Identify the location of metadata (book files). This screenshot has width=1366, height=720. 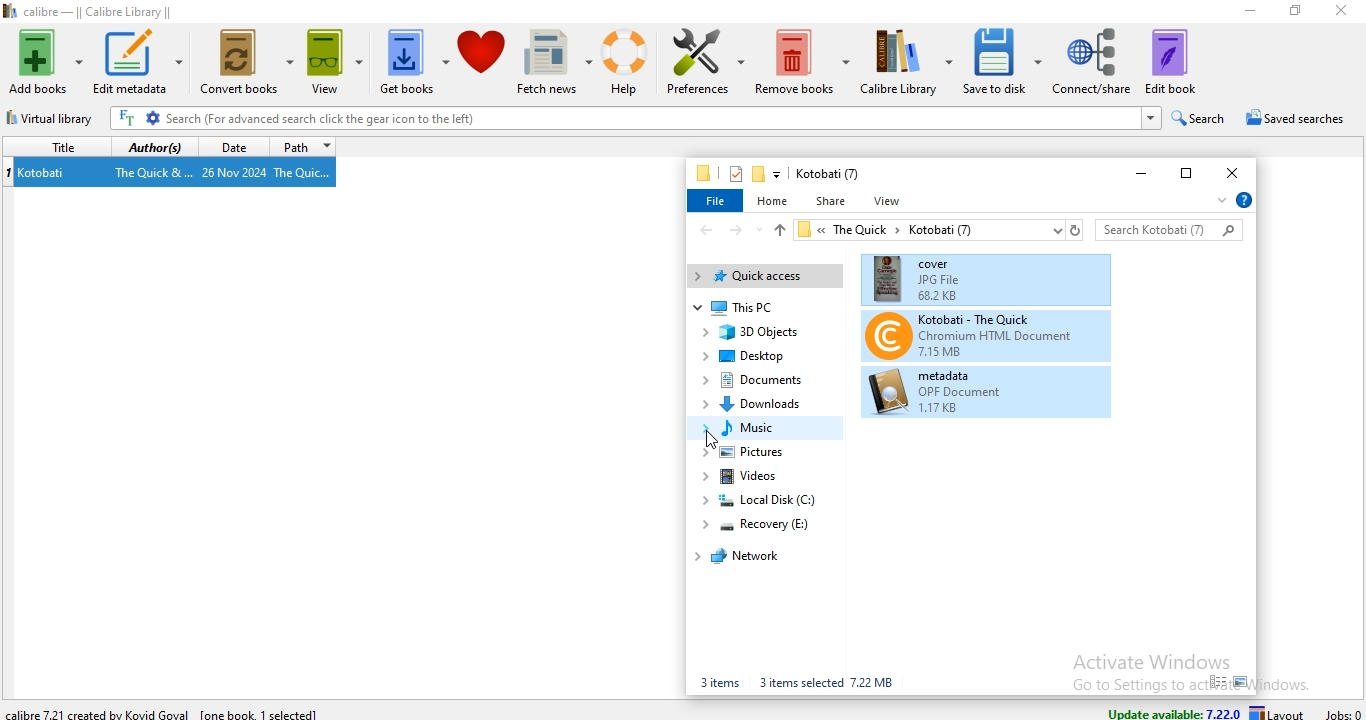
(939, 392).